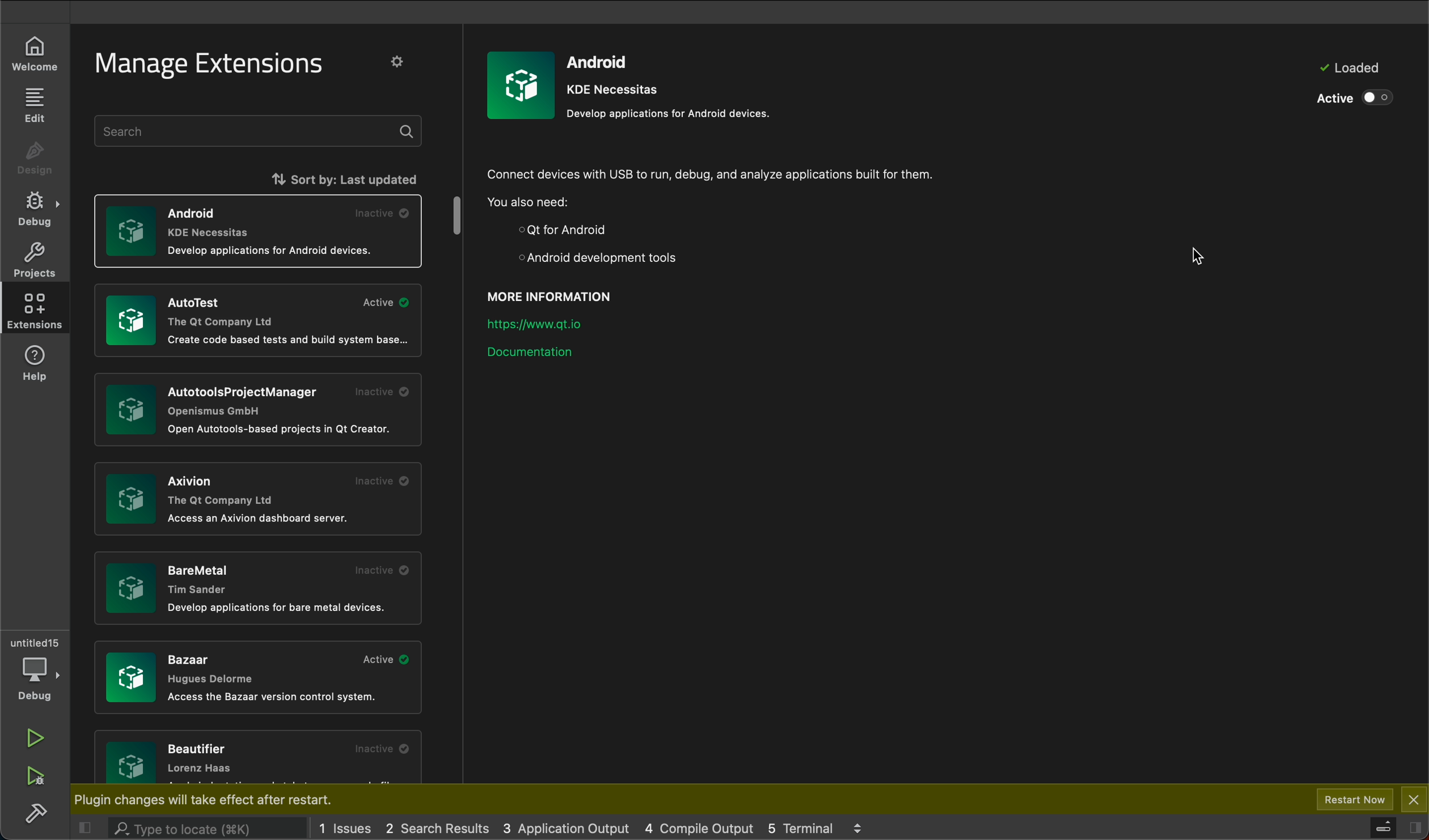  Describe the element at coordinates (260, 758) in the screenshot. I see `extensions list` at that location.